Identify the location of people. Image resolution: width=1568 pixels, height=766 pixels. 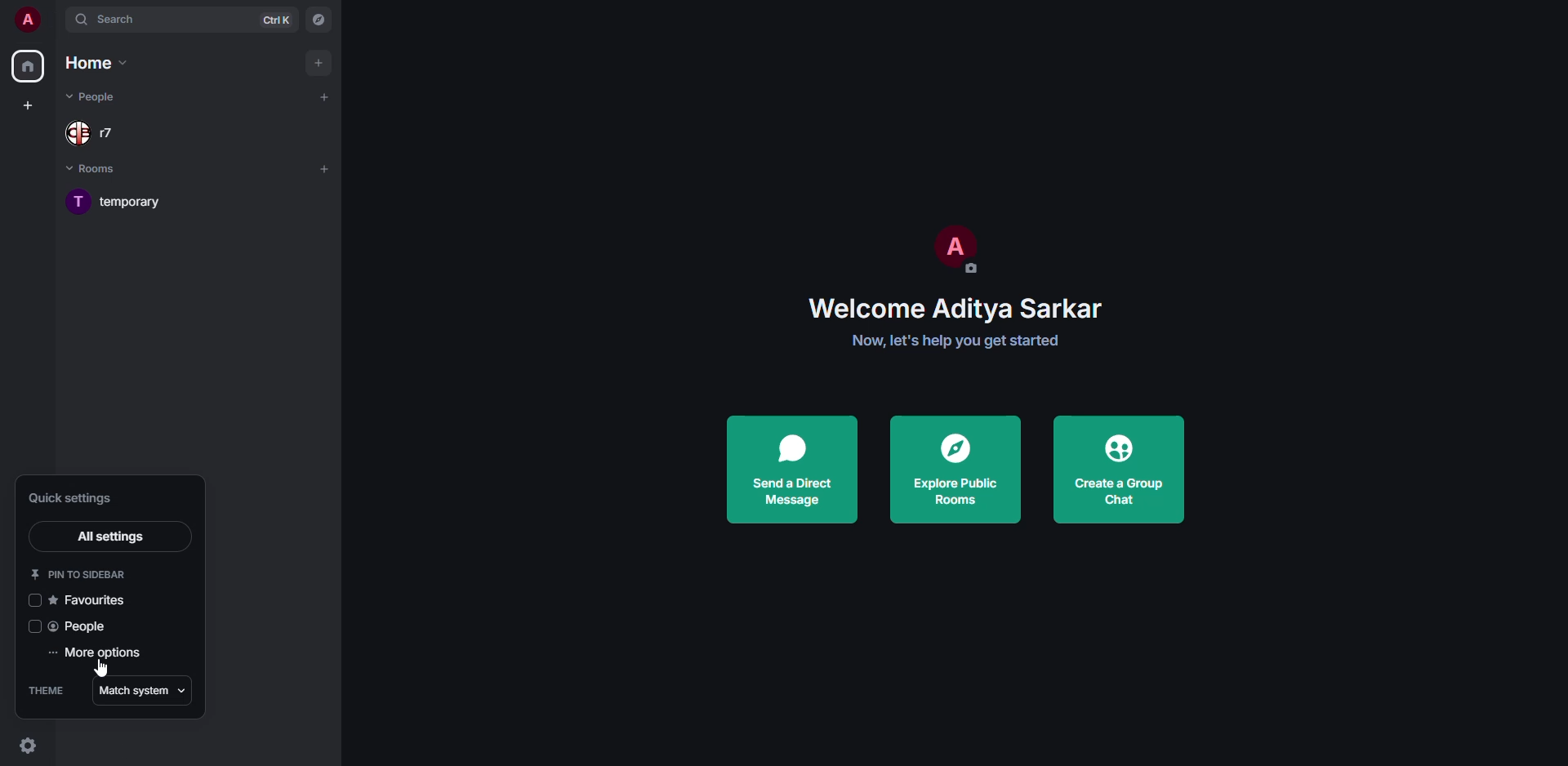
(84, 627).